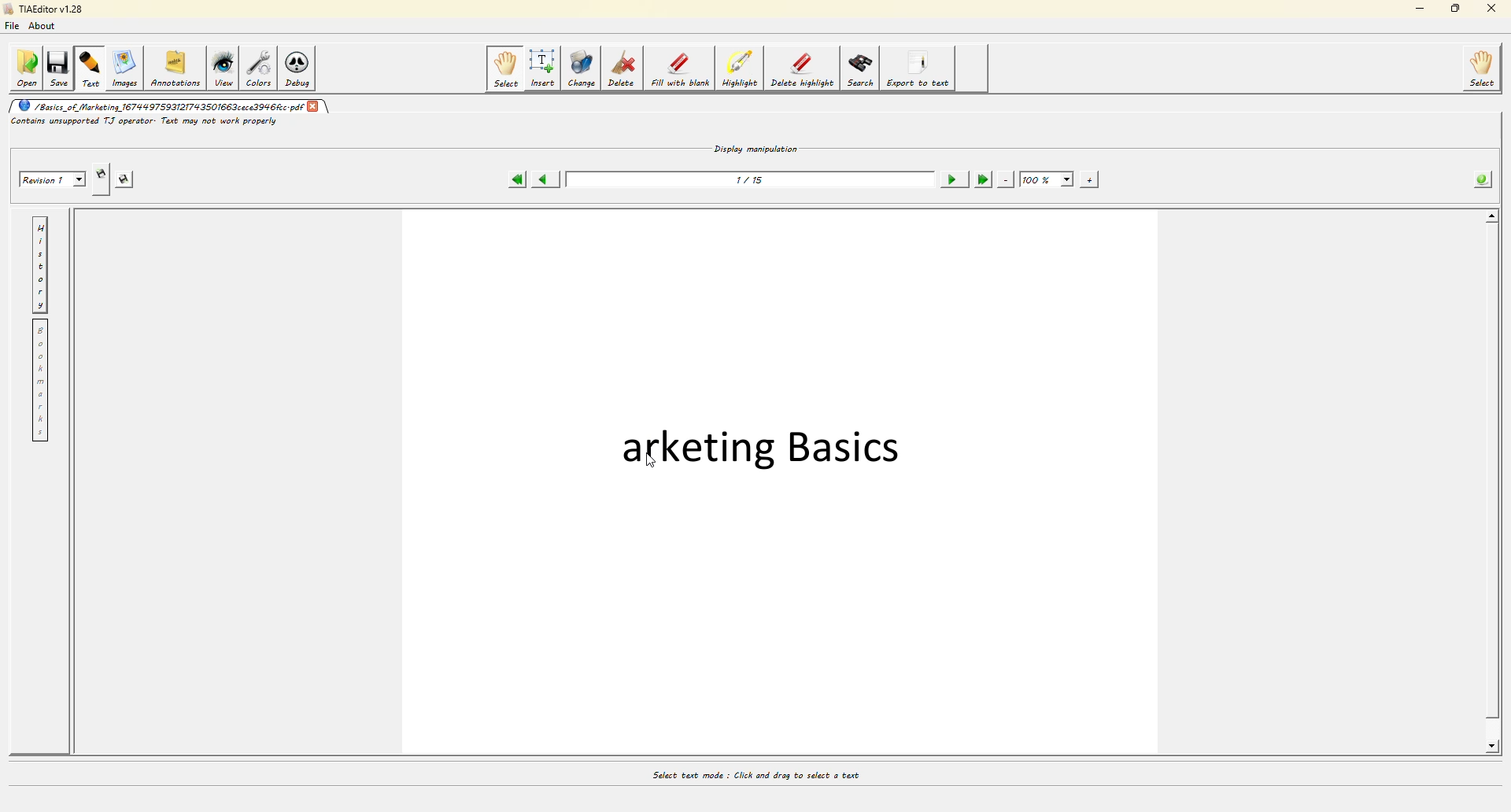 This screenshot has height=812, width=1511. I want to click on scroll bar, so click(1491, 482).